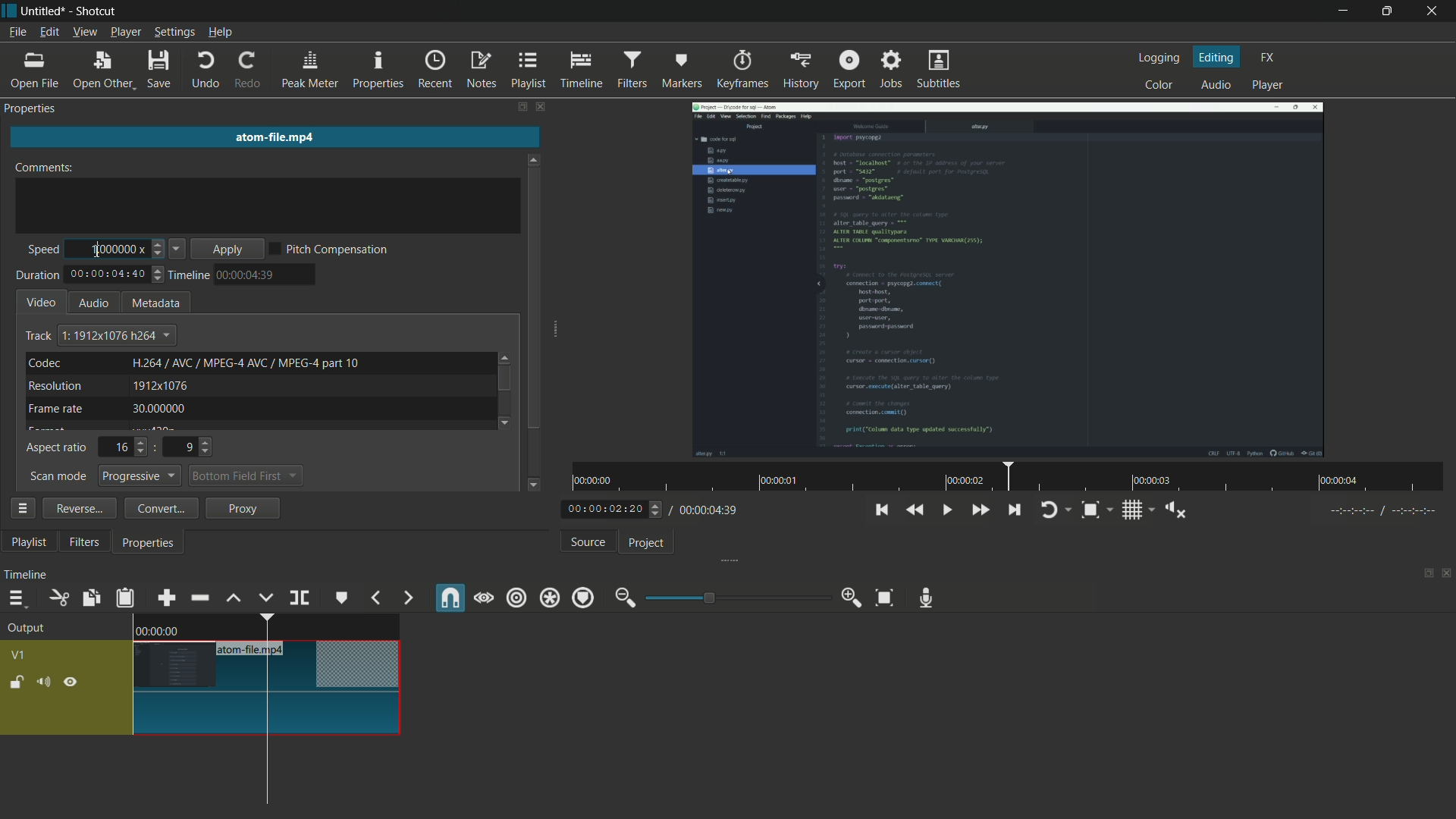  What do you see at coordinates (1050, 510) in the screenshot?
I see `toggle player looping` at bounding box center [1050, 510].